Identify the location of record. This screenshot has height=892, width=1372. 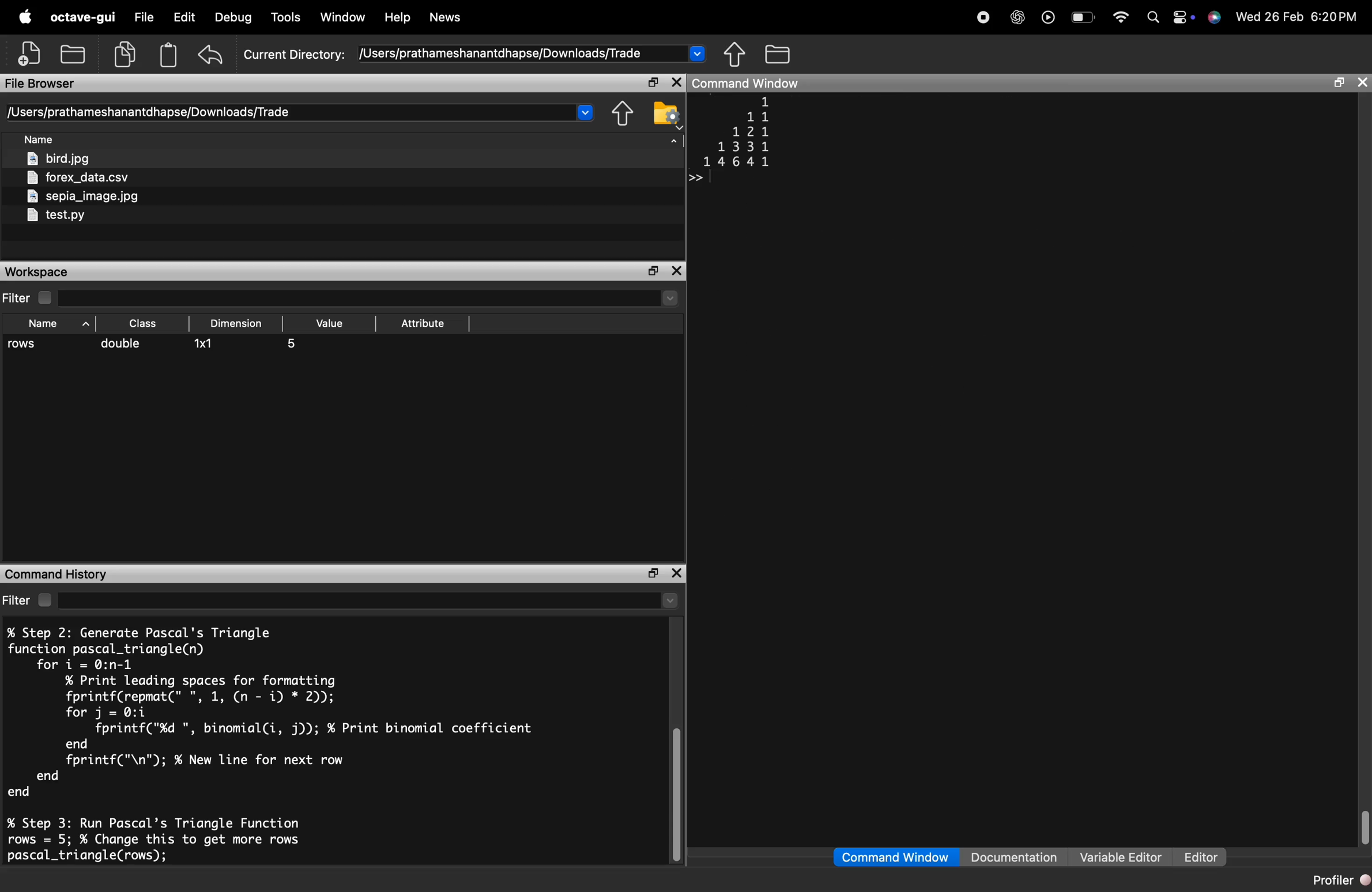
(983, 17).